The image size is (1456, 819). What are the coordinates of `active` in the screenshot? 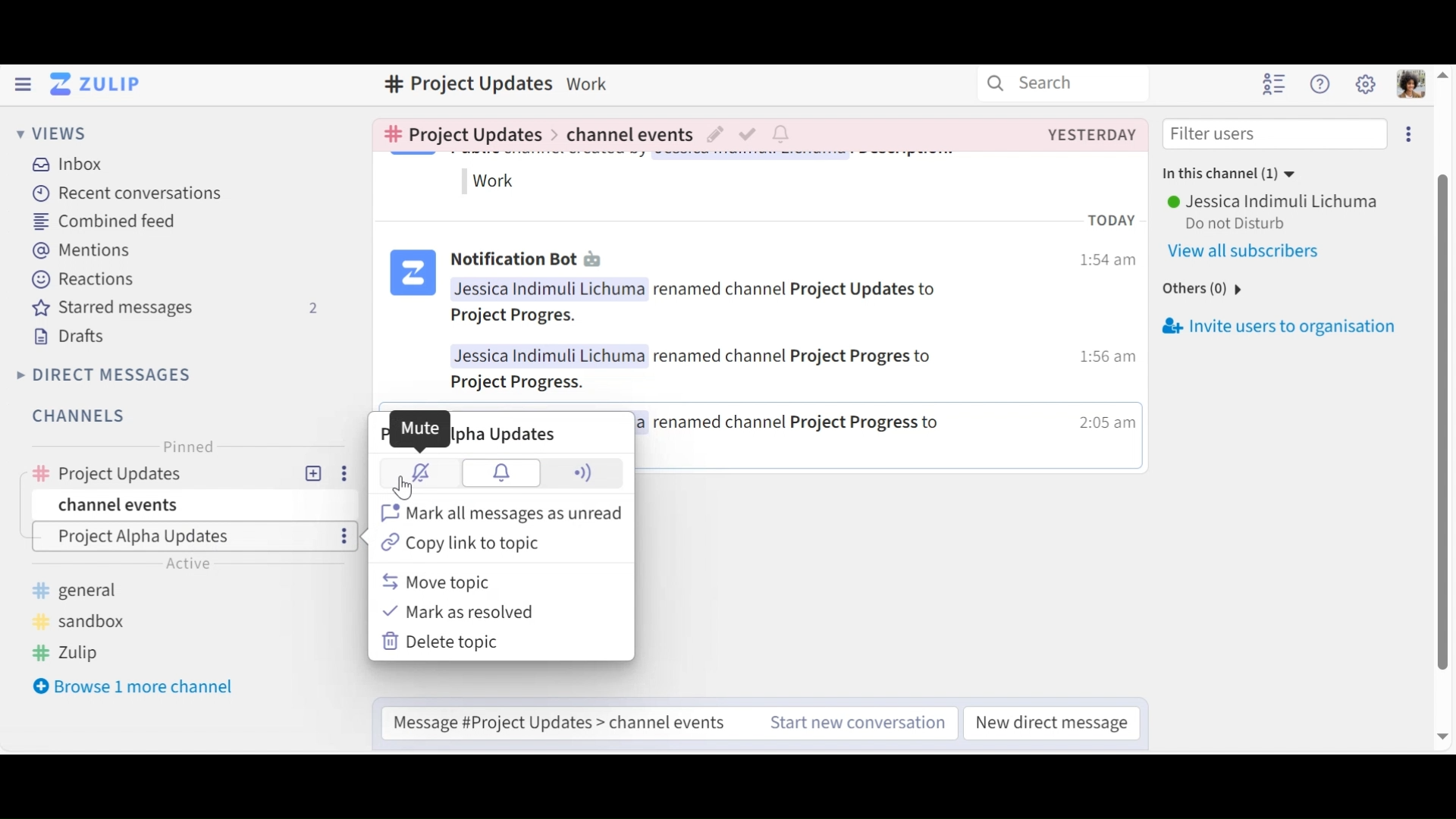 It's located at (190, 564).